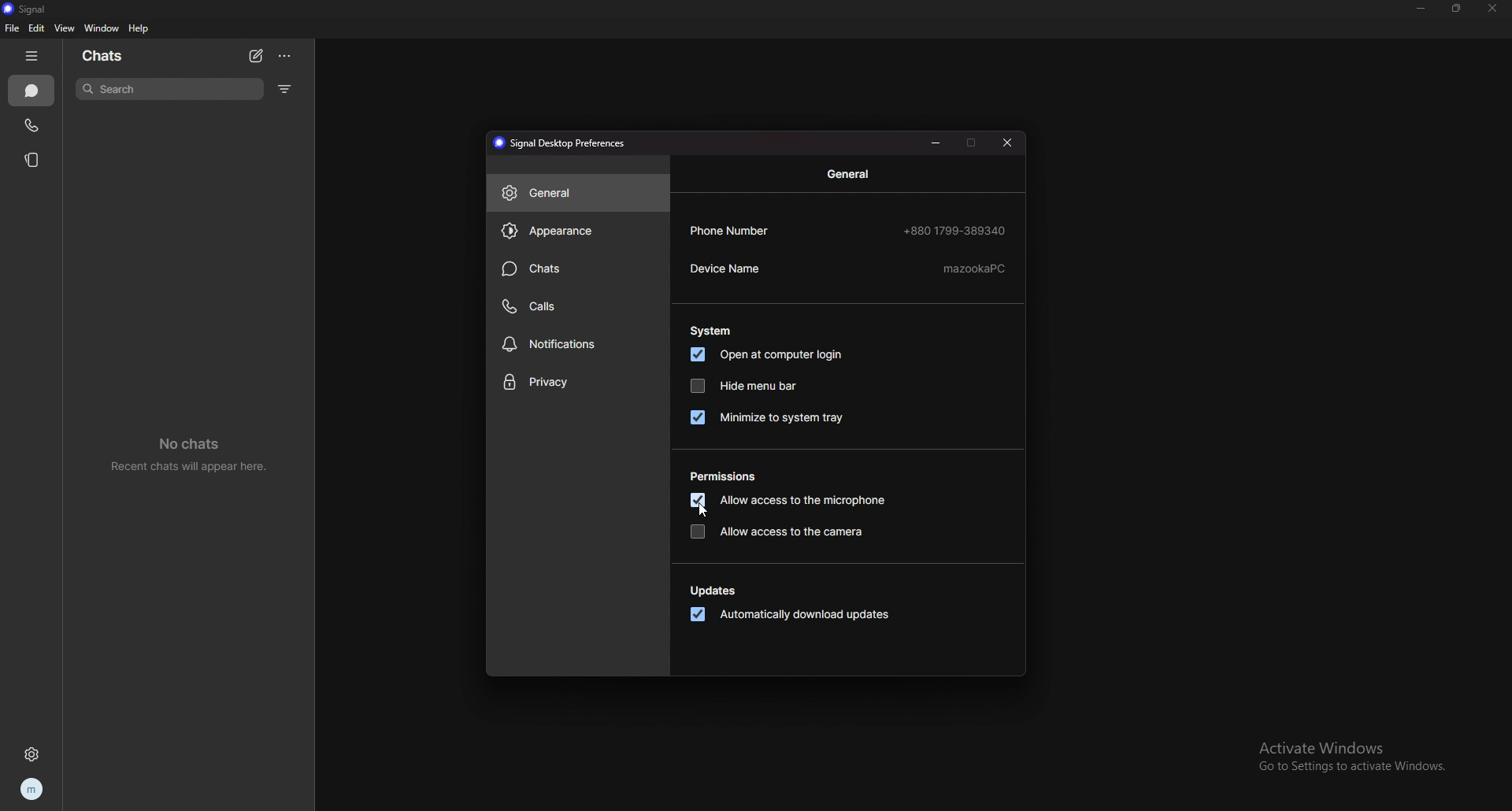 This screenshot has height=811, width=1512. I want to click on chats, so click(578, 269).